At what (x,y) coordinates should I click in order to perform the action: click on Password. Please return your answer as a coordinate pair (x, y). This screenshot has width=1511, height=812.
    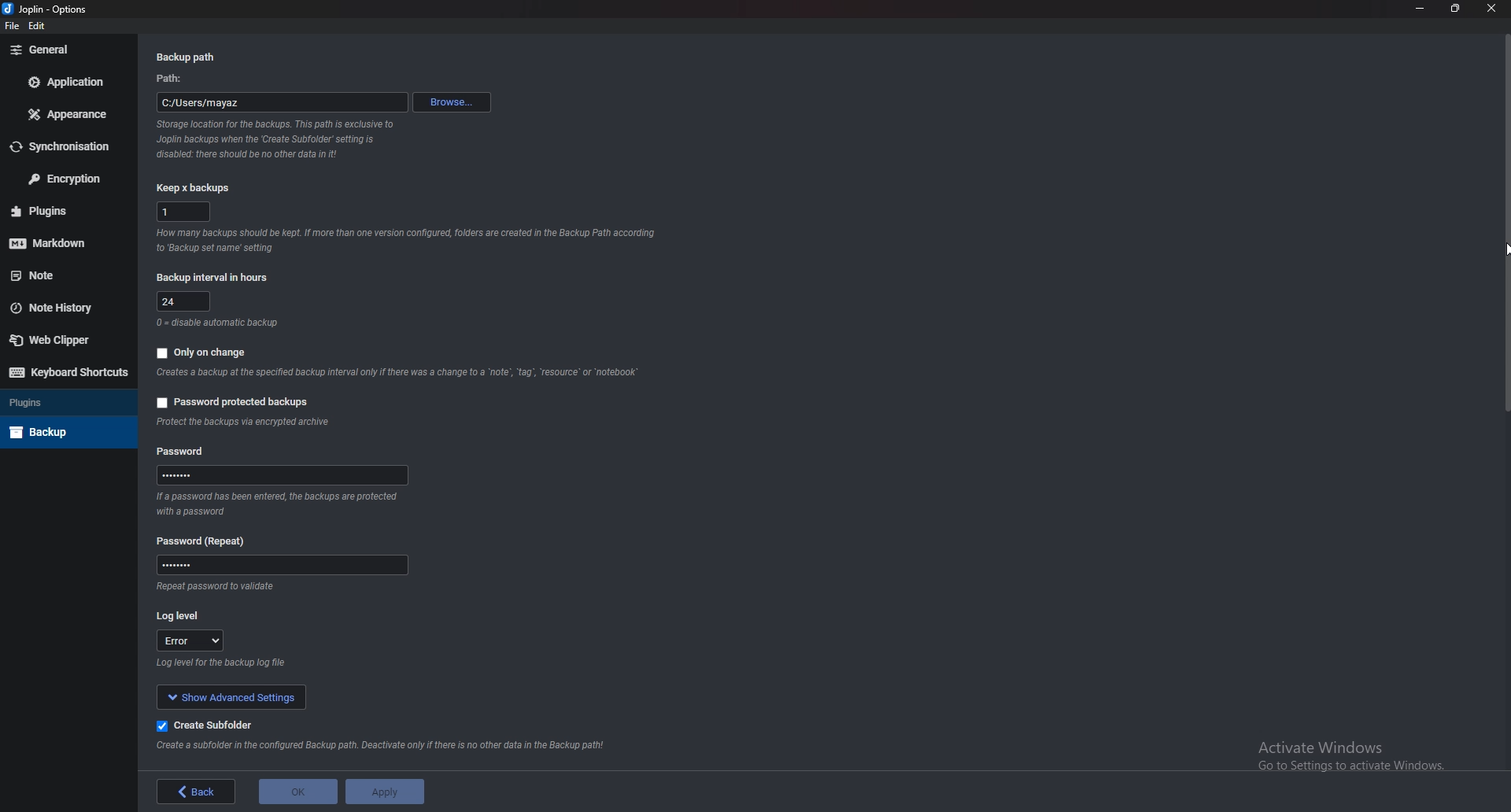
    Looking at the image, I should click on (284, 564).